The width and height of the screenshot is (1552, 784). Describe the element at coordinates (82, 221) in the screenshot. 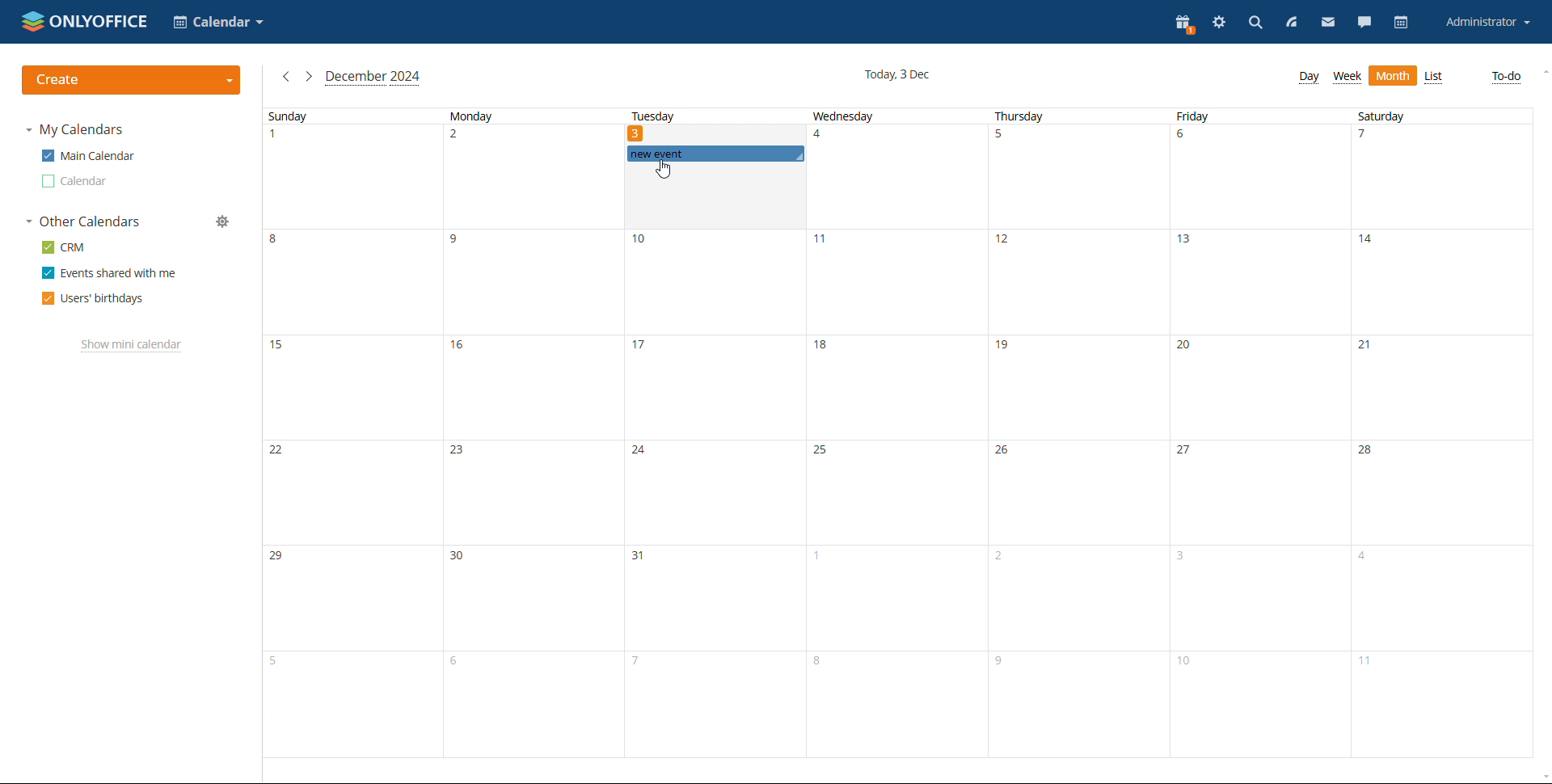

I see `other calendars` at that location.